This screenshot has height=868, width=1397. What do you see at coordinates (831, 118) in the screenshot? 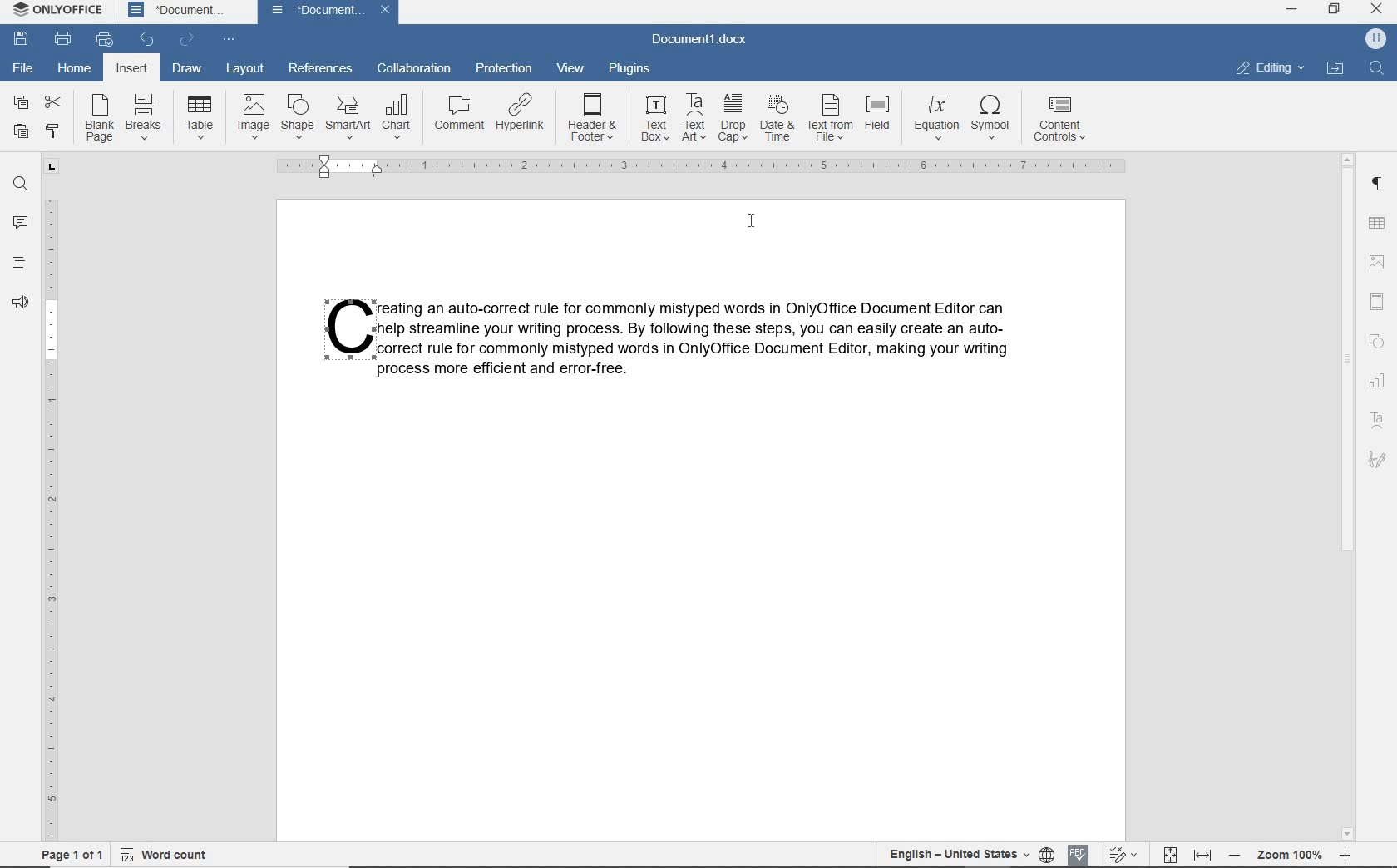
I see `text from file` at bounding box center [831, 118].